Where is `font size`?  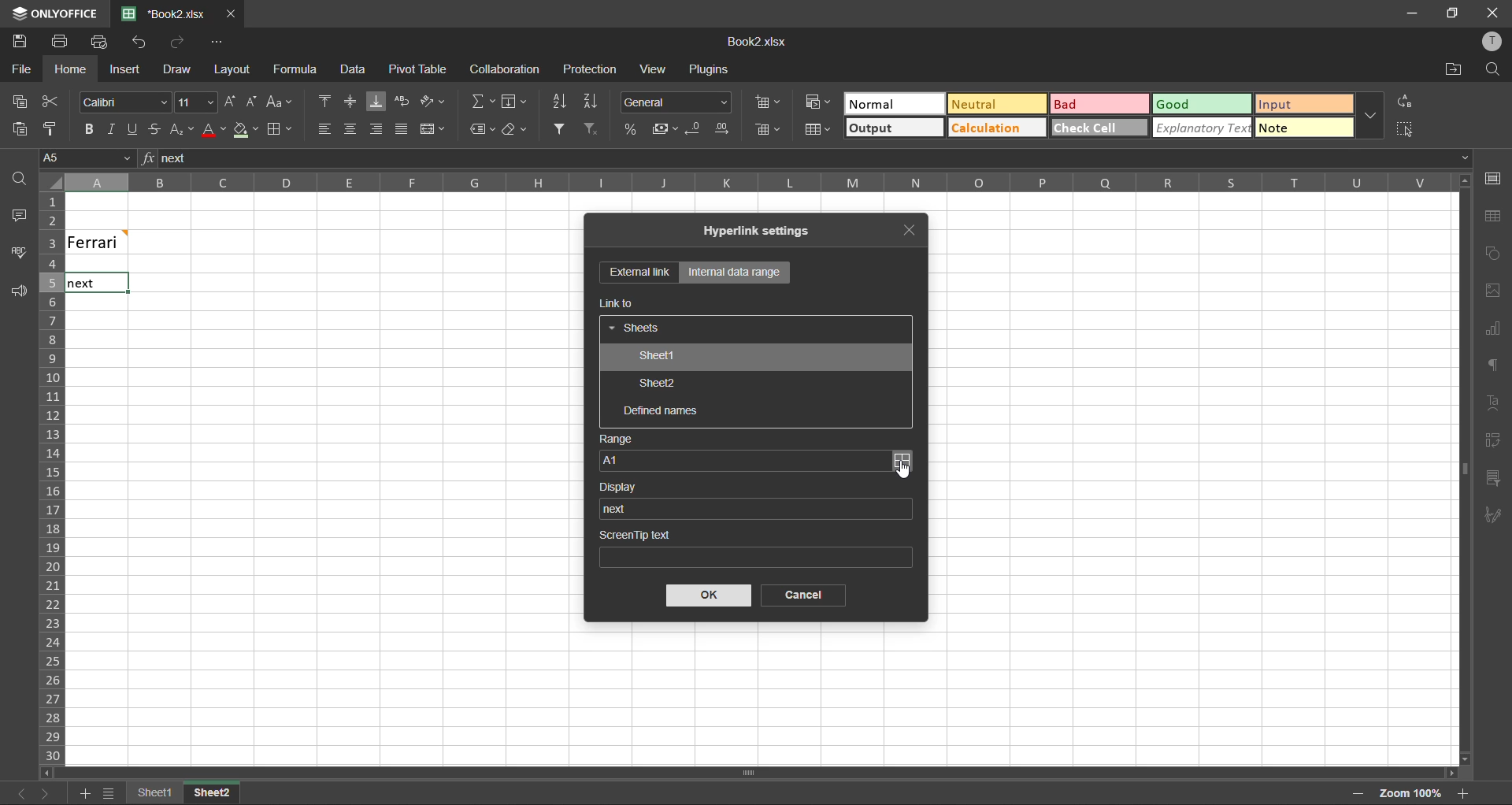 font size is located at coordinates (195, 101).